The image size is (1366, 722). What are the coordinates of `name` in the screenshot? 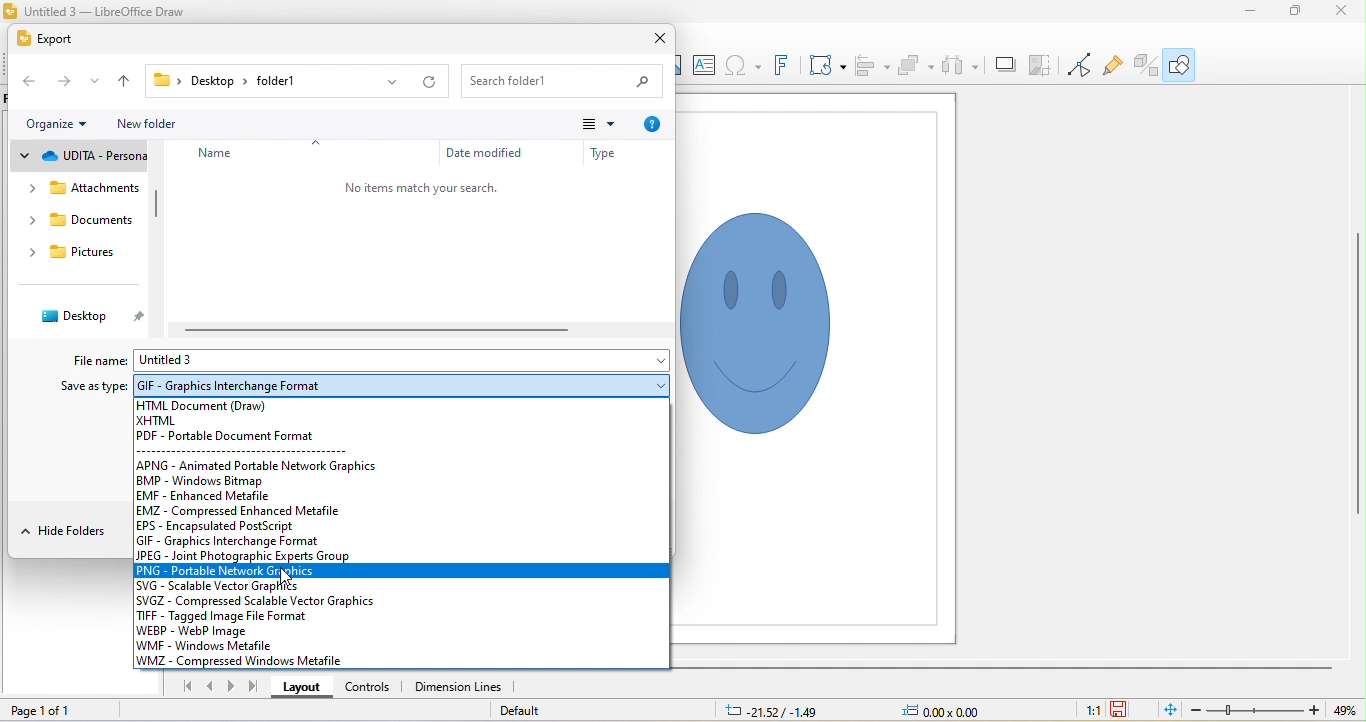 It's located at (219, 156).